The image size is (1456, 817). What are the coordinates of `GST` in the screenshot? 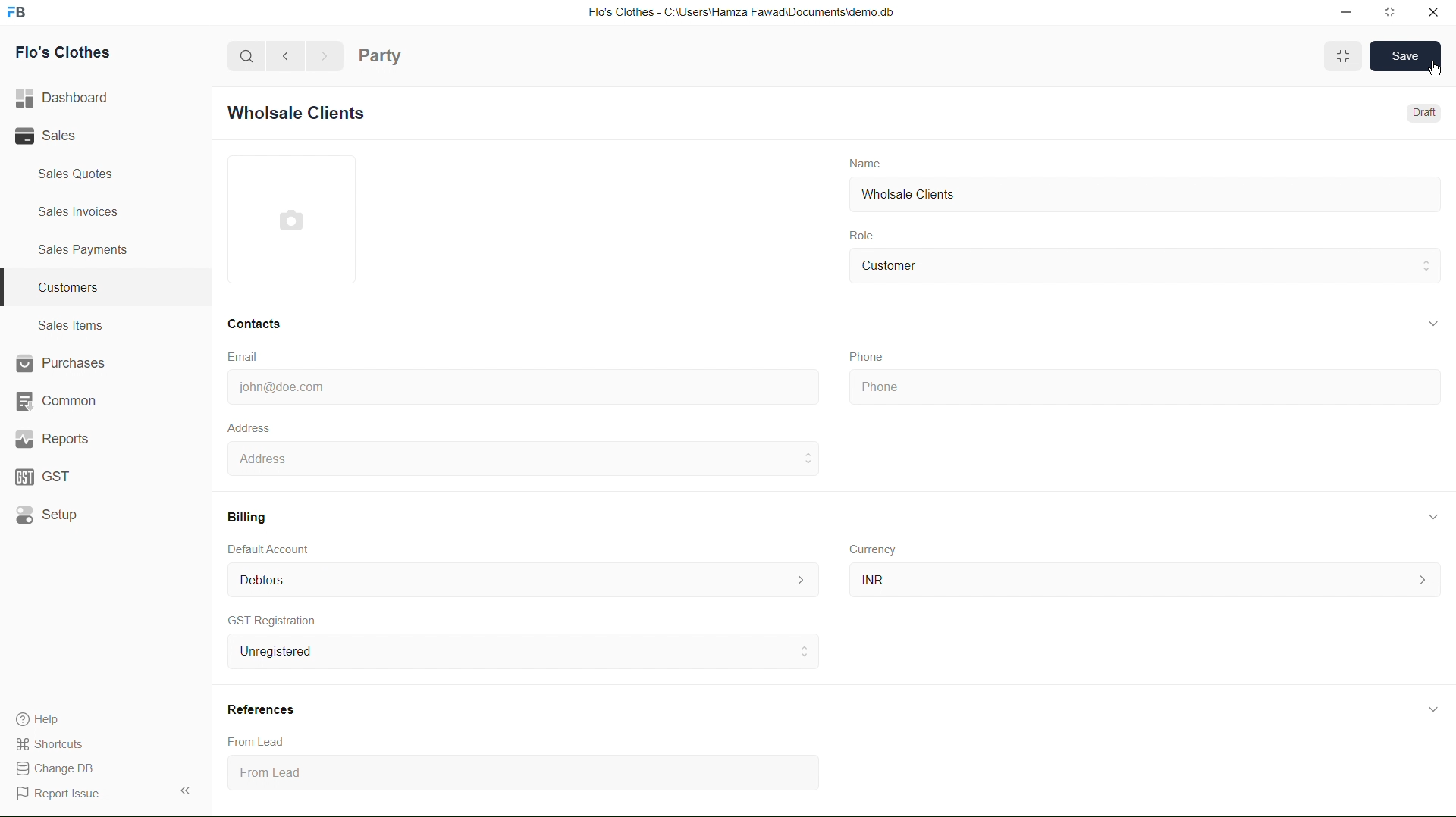 It's located at (44, 478).